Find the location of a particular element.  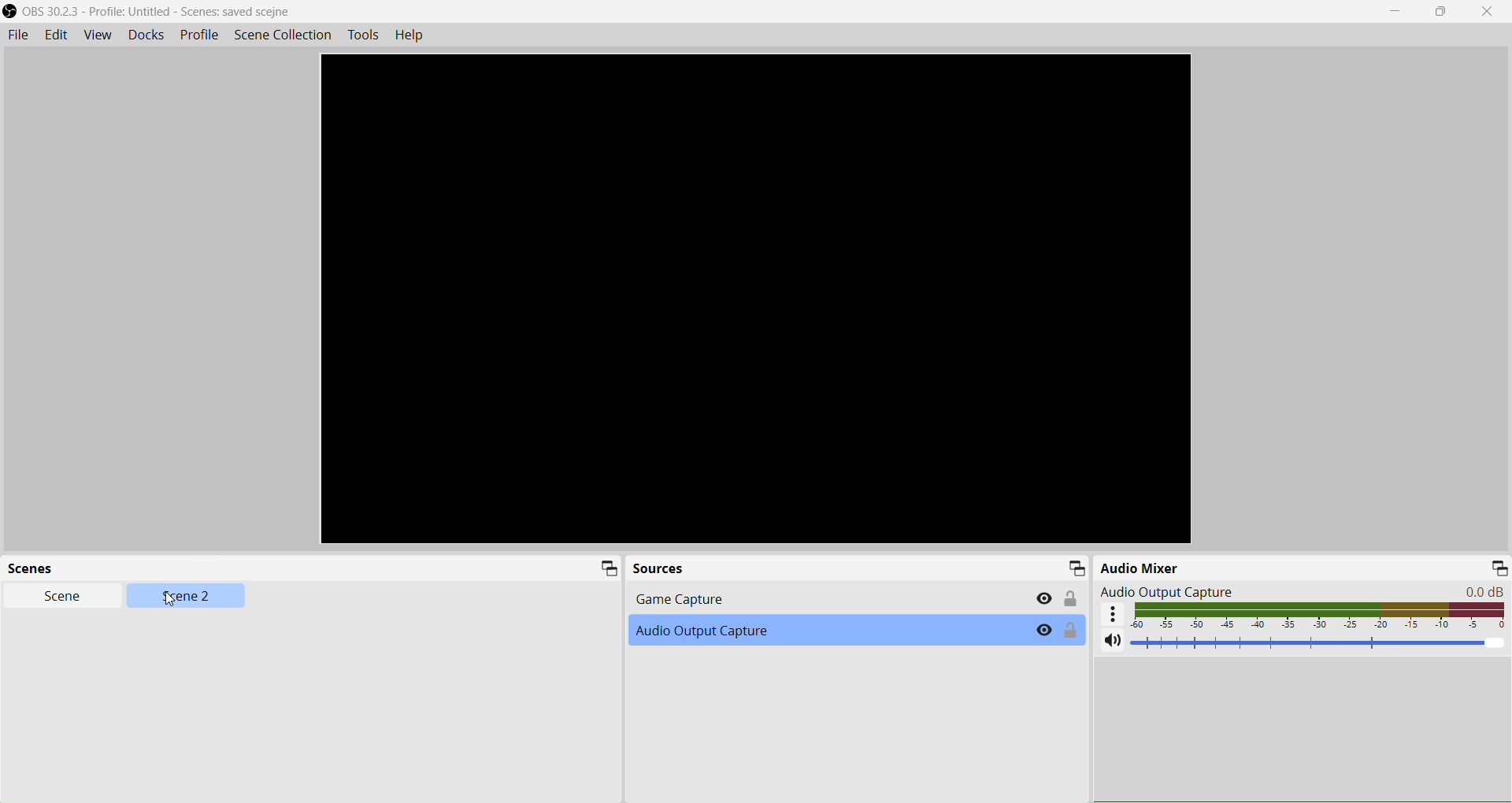

Minimize is located at coordinates (1499, 568).